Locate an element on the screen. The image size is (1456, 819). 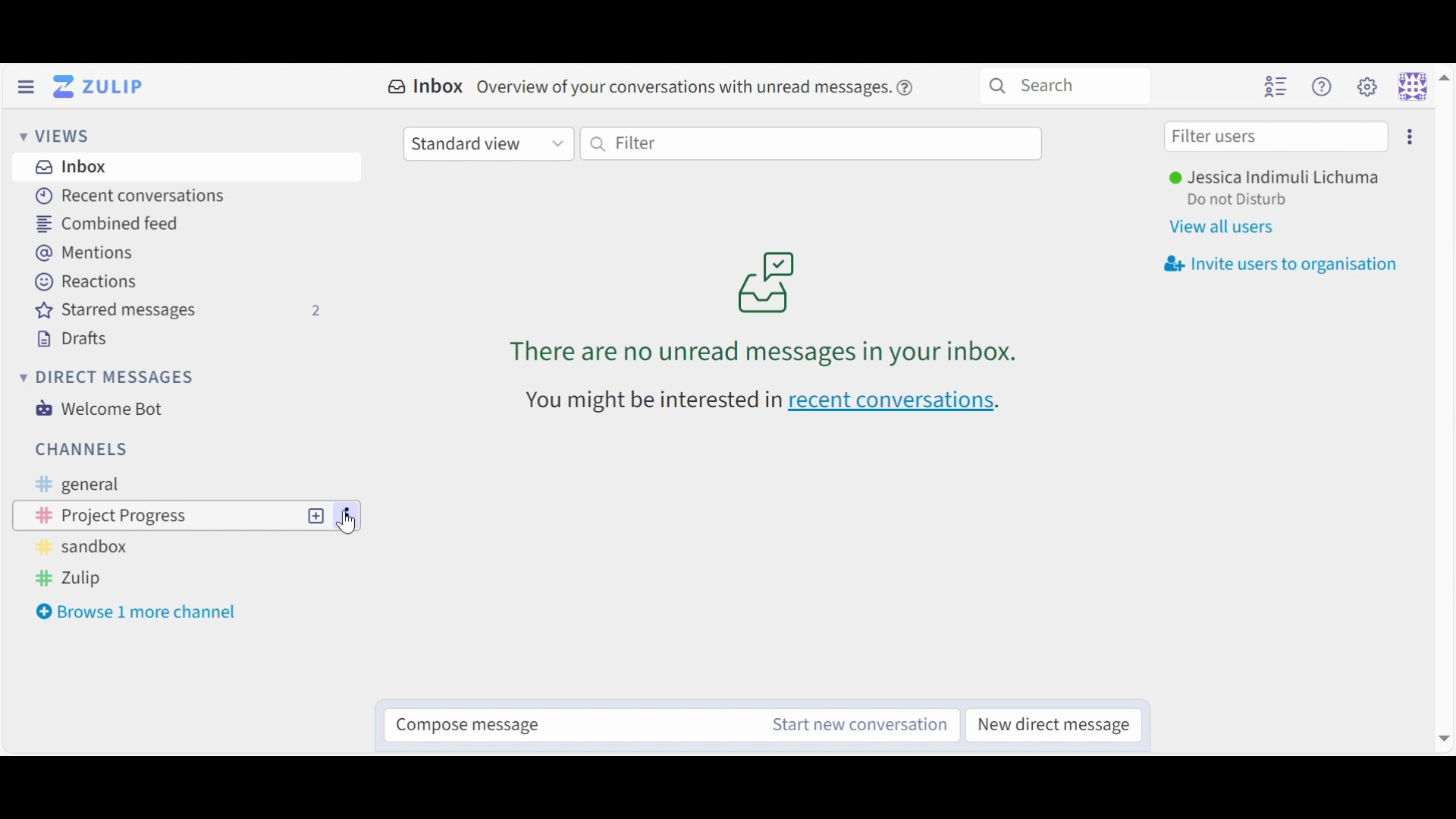
# general is located at coordinates (99, 486).